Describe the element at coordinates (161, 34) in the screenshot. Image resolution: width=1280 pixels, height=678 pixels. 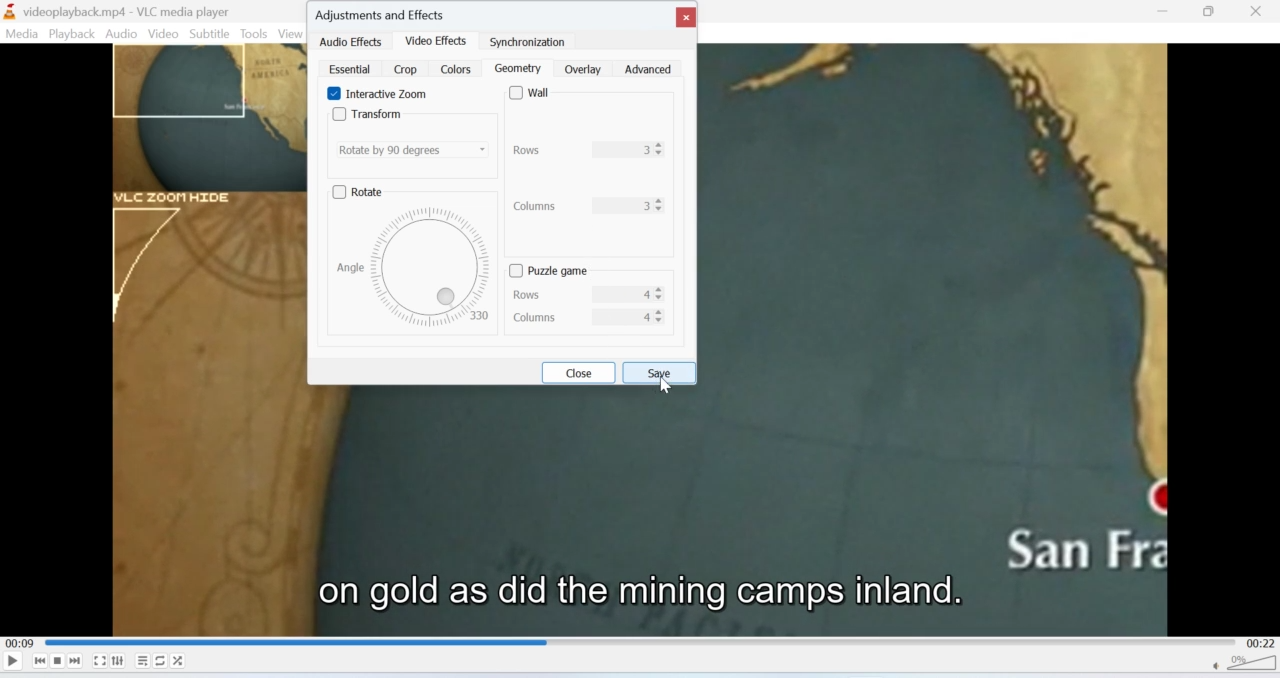
I see `Video` at that location.